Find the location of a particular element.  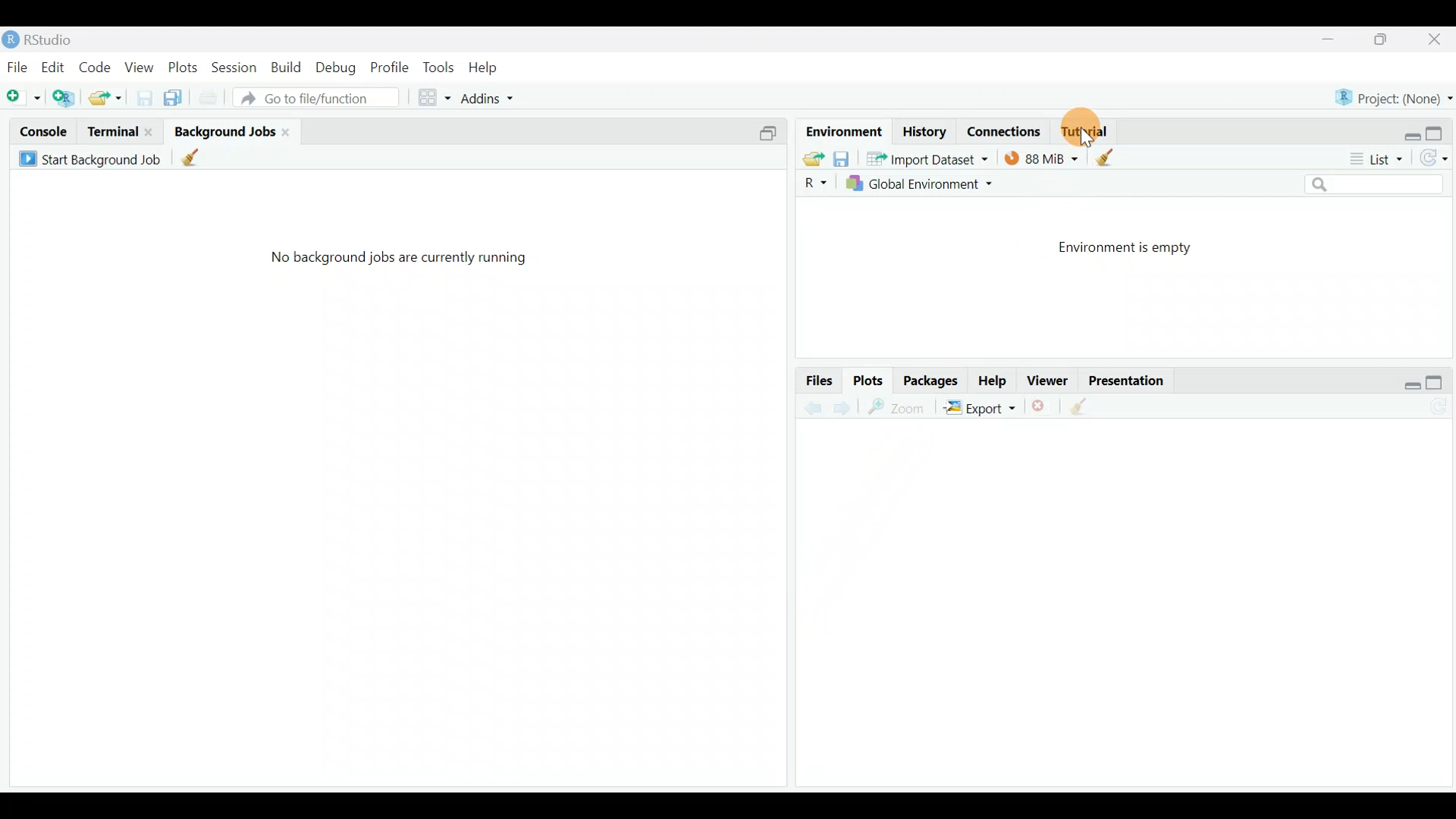

Export is located at coordinates (980, 408).